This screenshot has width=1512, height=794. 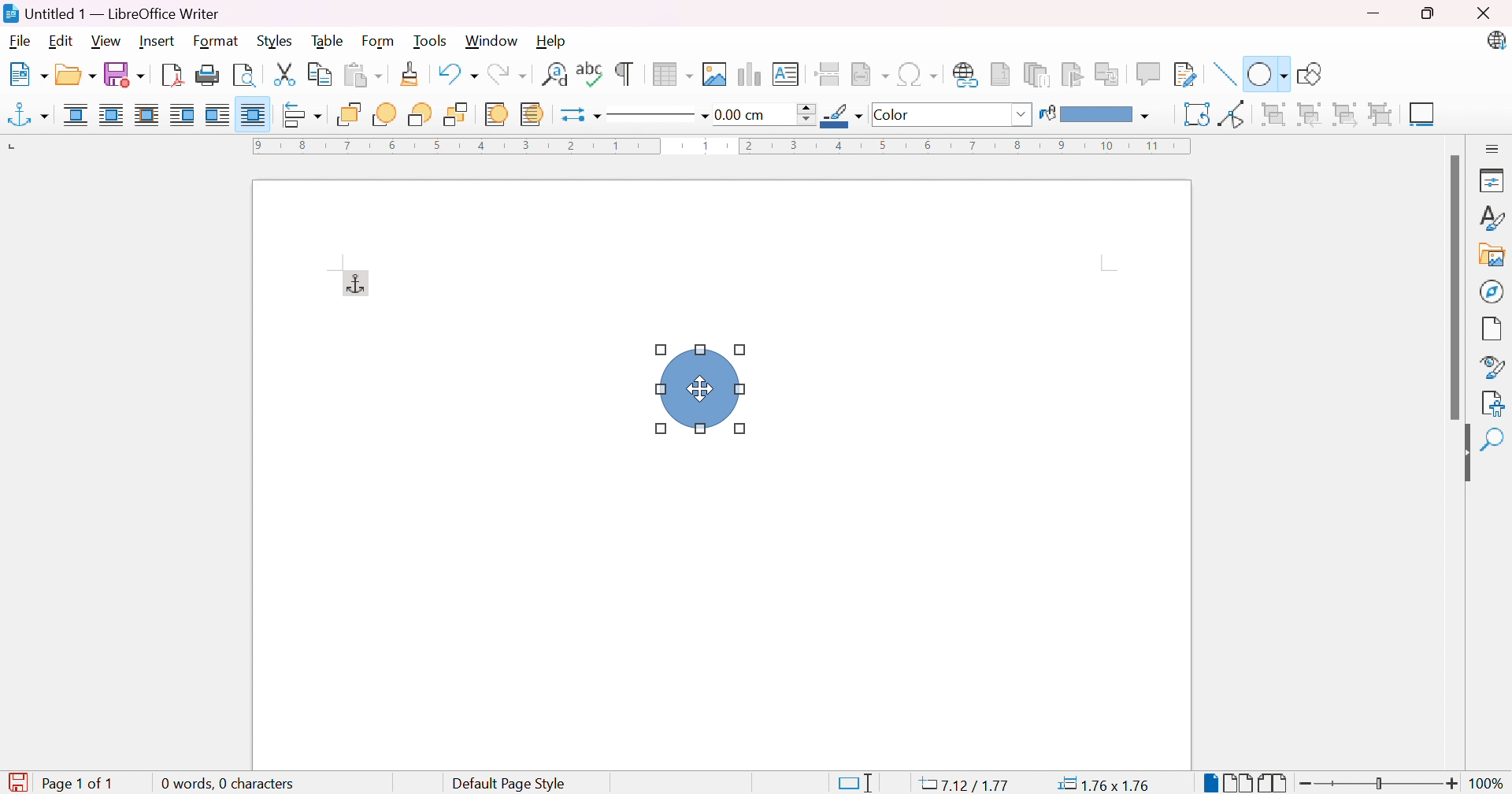 What do you see at coordinates (1266, 72) in the screenshot?
I see `Basic shapes` at bounding box center [1266, 72].